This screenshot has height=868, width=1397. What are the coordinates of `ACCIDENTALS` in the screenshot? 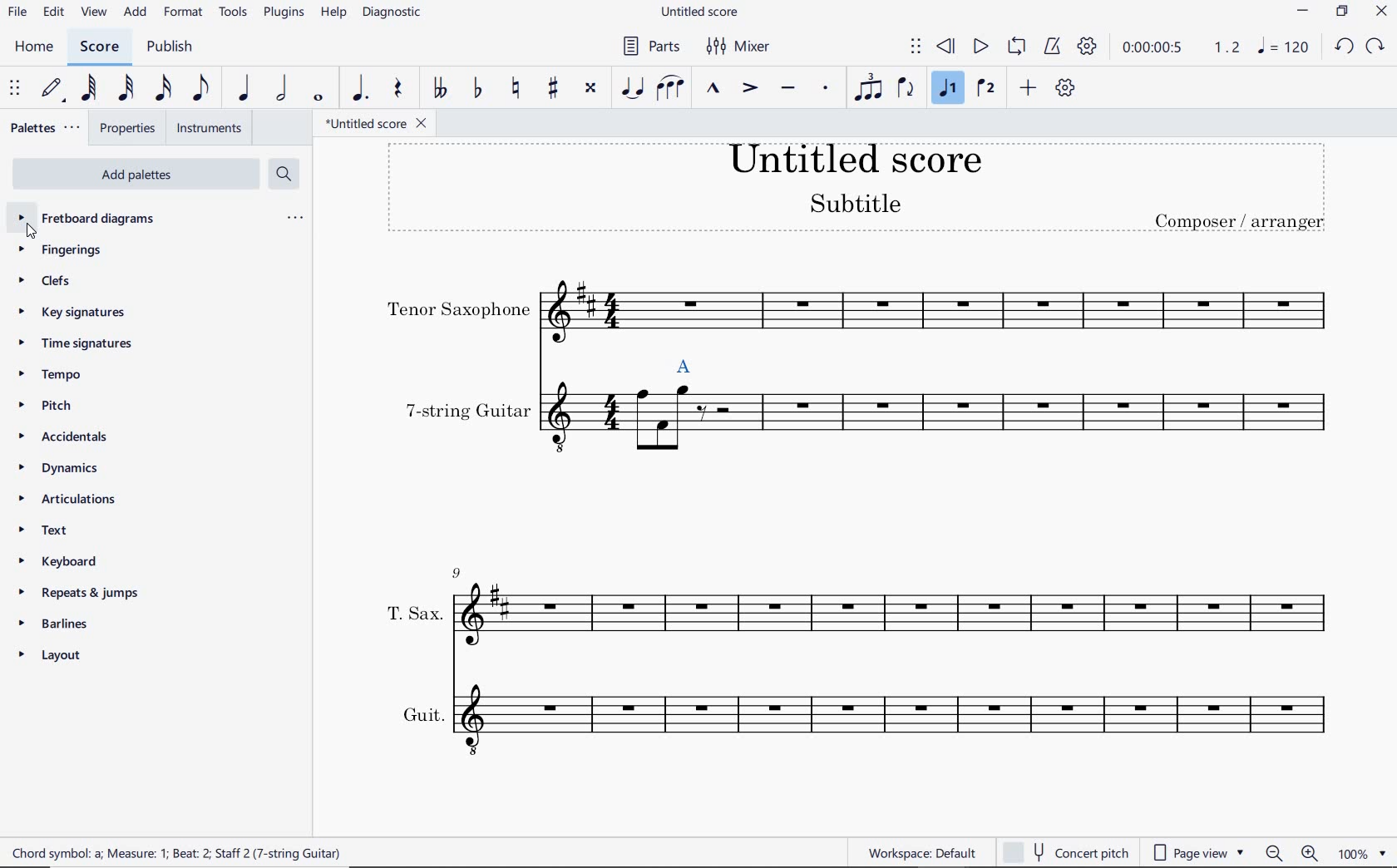 It's located at (77, 437).